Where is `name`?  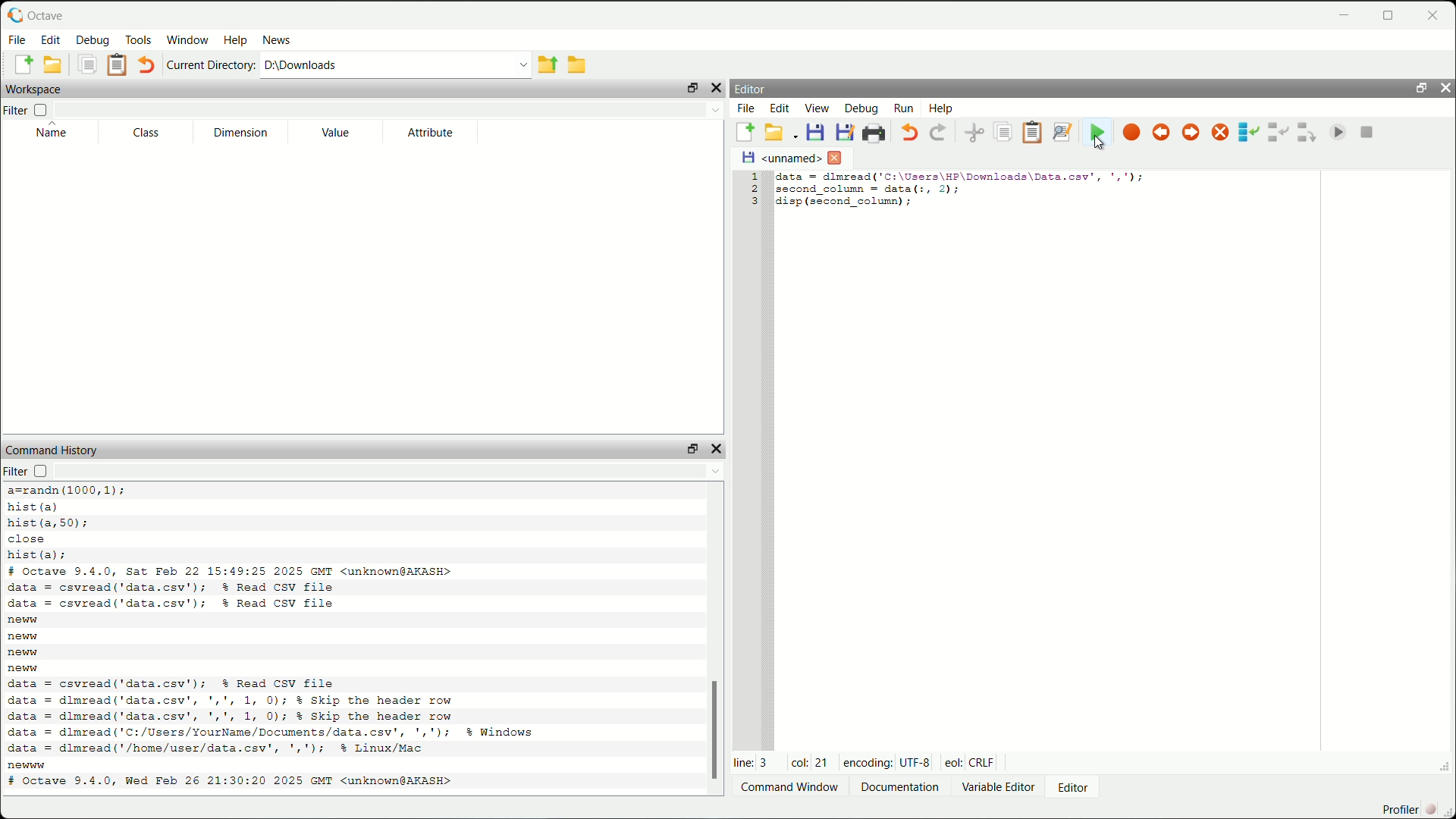 name is located at coordinates (55, 134).